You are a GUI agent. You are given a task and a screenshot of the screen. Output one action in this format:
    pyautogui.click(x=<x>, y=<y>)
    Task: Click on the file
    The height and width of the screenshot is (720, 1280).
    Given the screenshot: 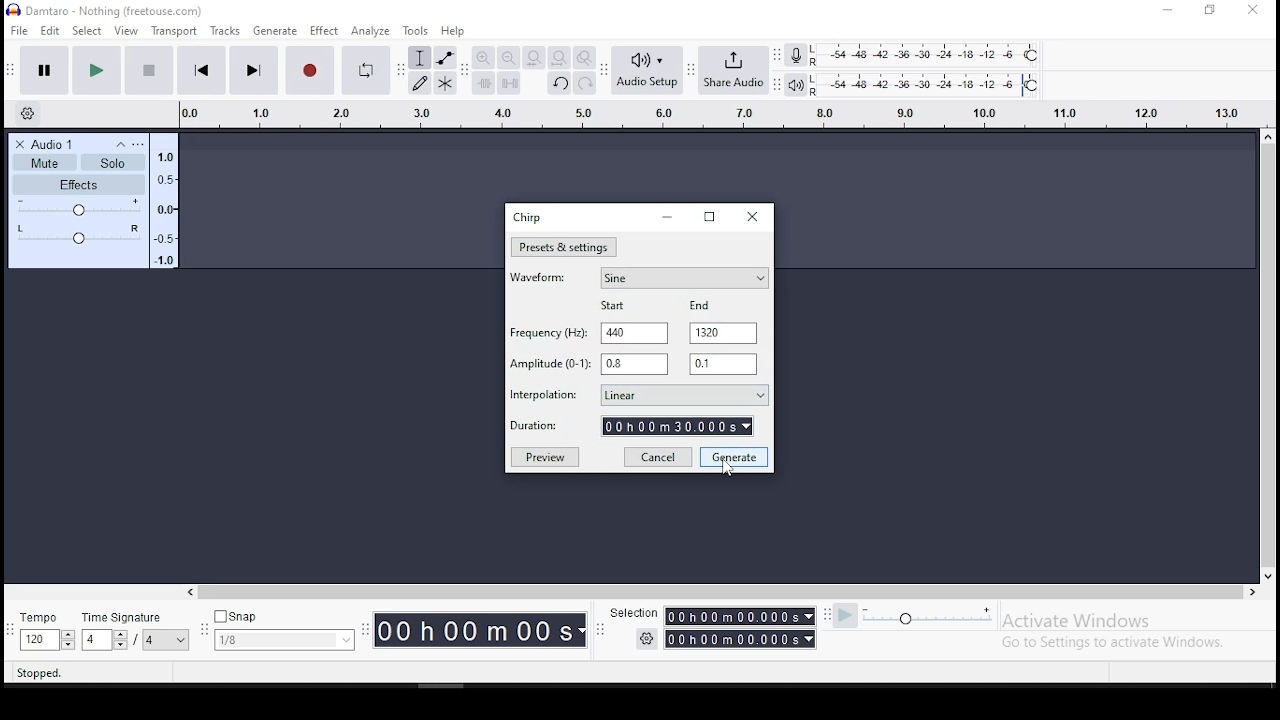 What is the action you would take?
    pyautogui.click(x=19, y=31)
    